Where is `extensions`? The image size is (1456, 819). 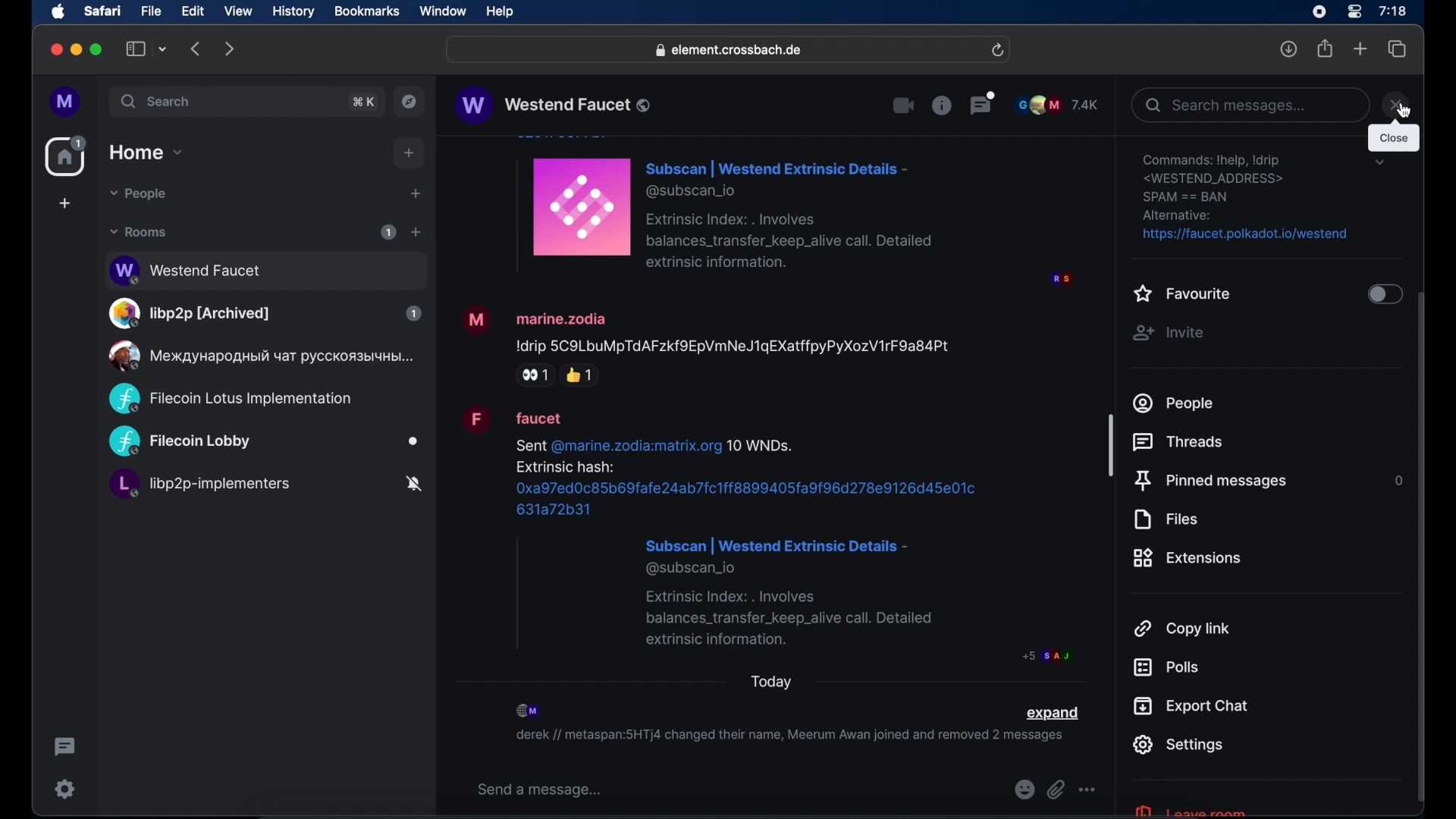 extensions is located at coordinates (1188, 558).